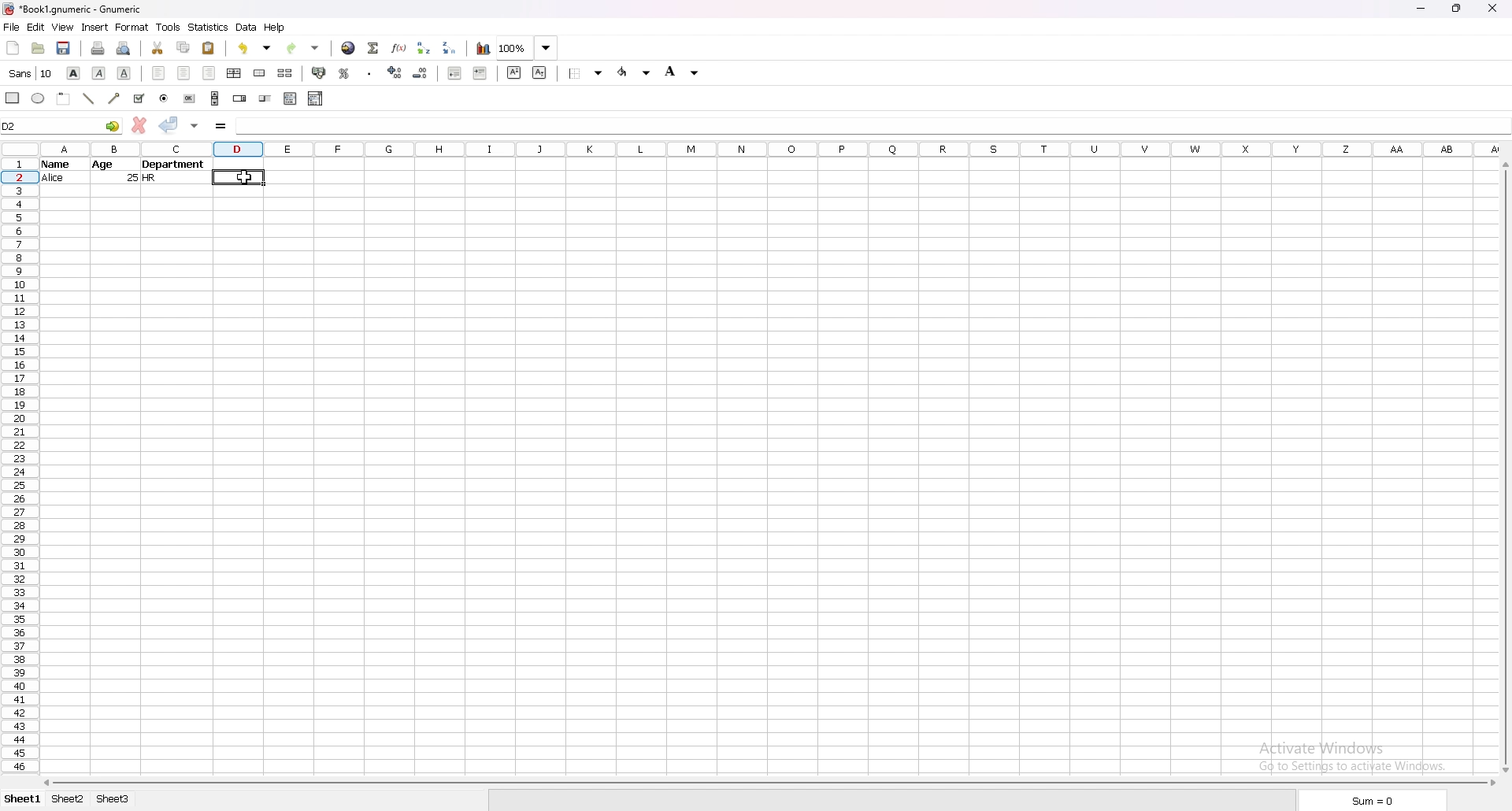  I want to click on redo, so click(303, 49).